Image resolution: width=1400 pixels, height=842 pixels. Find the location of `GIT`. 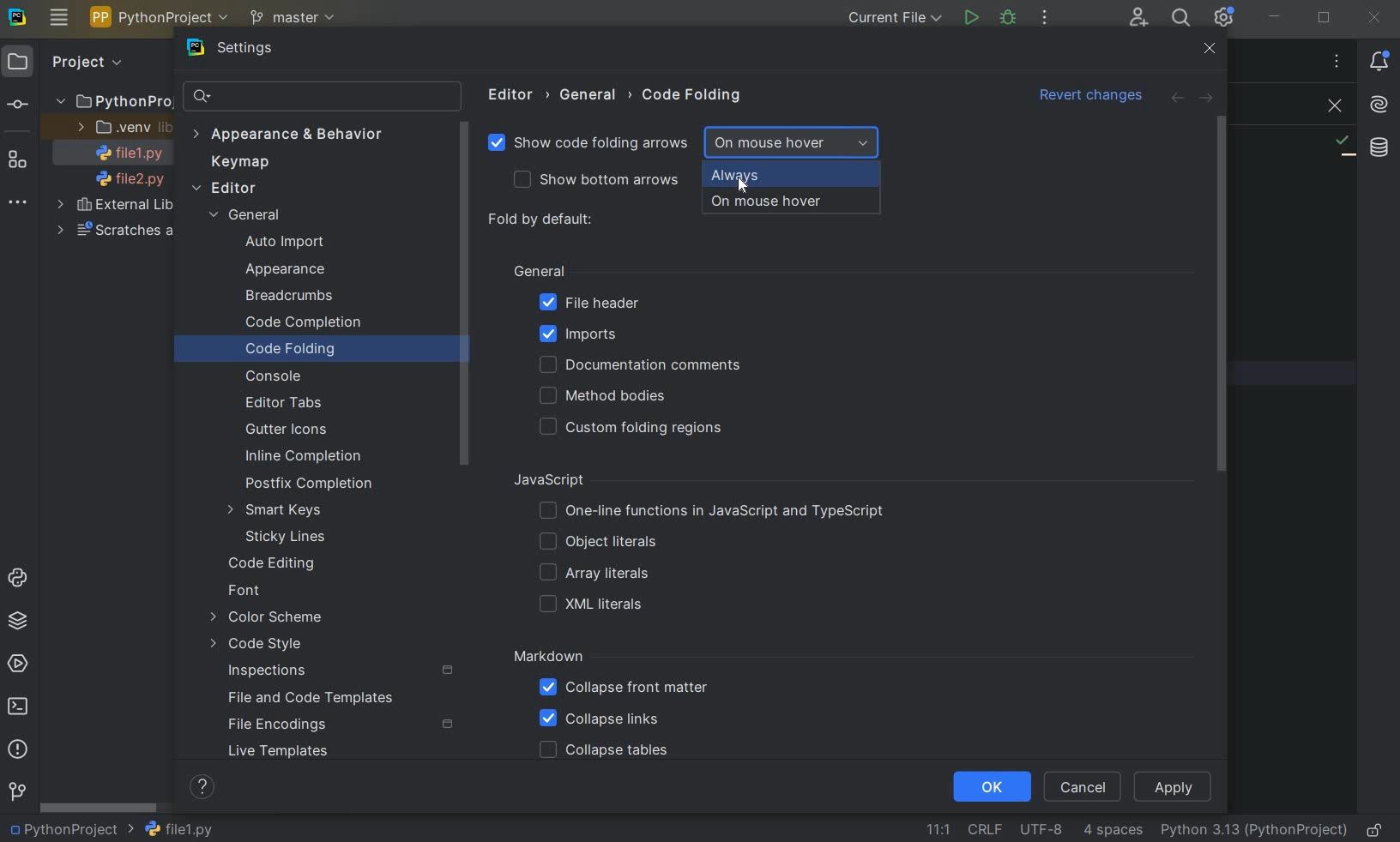

GIT is located at coordinates (17, 791).